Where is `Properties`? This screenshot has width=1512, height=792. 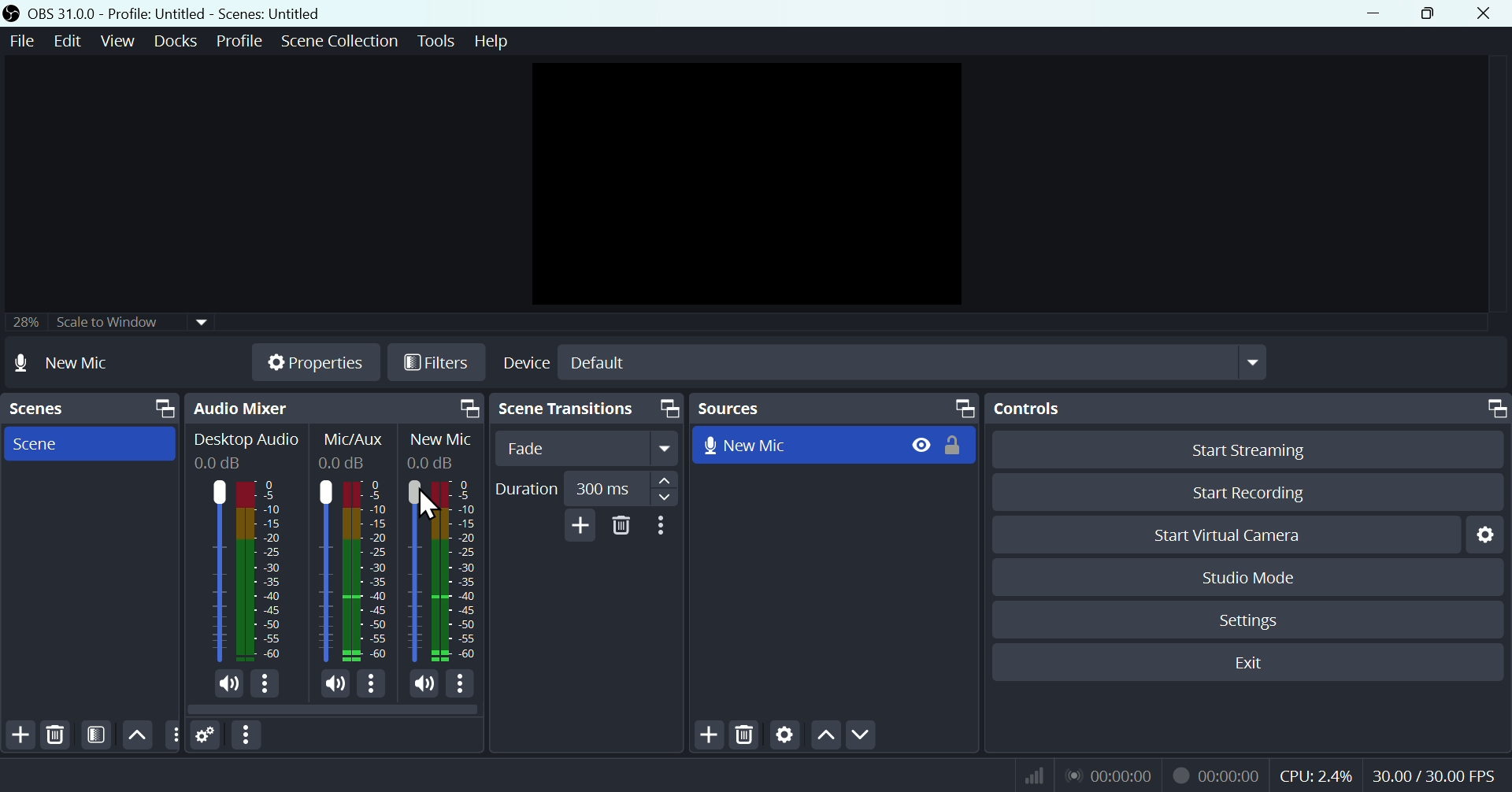 Properties is located at coordinates (314, 362).